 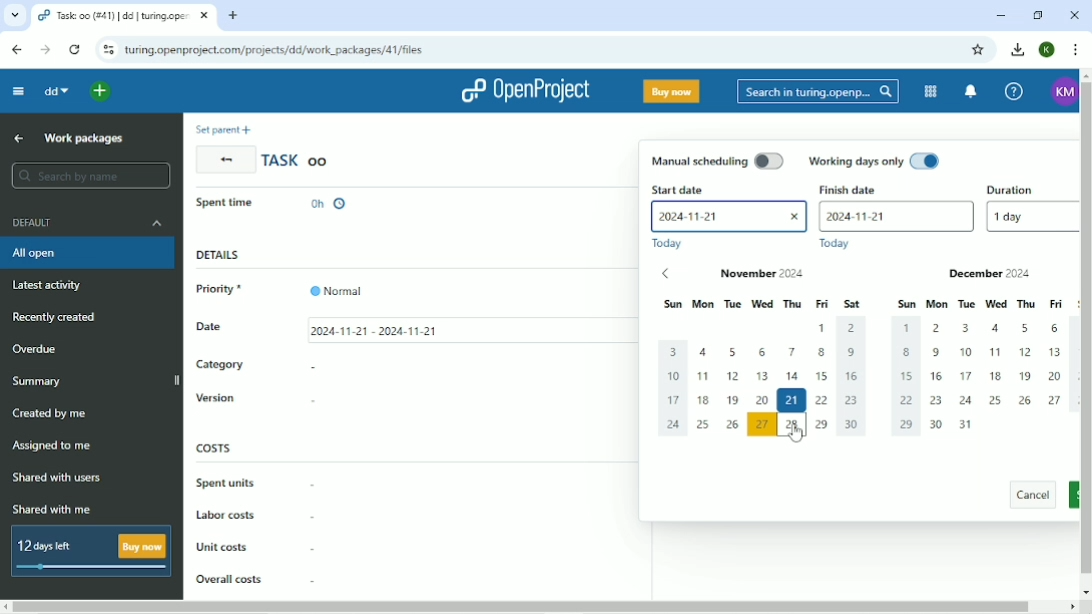 What do you see at coordinates (713, 216) in the screenshot?
I see `2024-11-21` at bounding box center [713, 216].